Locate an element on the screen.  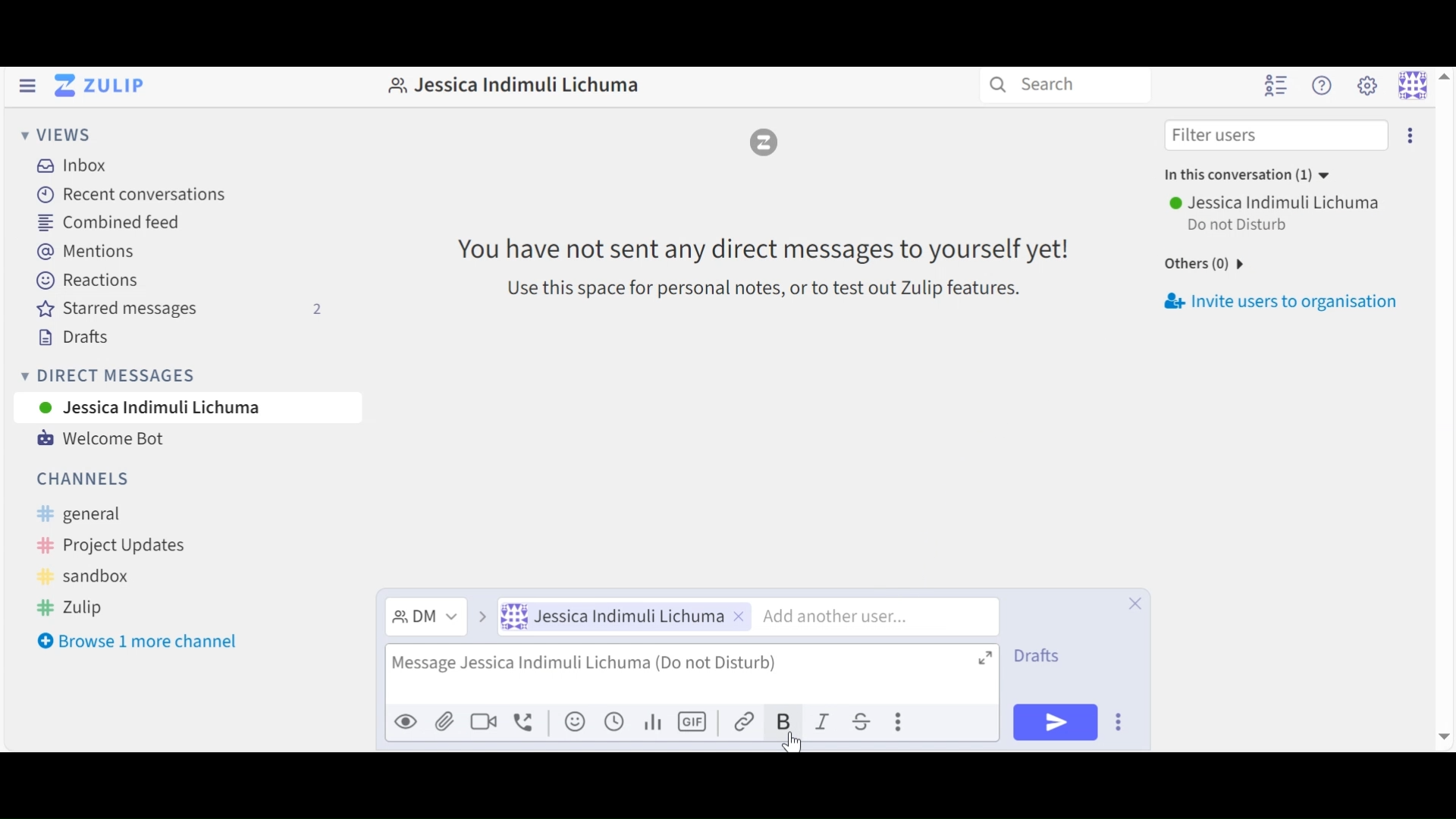
Starred messages is located at coordinates (179, 309).